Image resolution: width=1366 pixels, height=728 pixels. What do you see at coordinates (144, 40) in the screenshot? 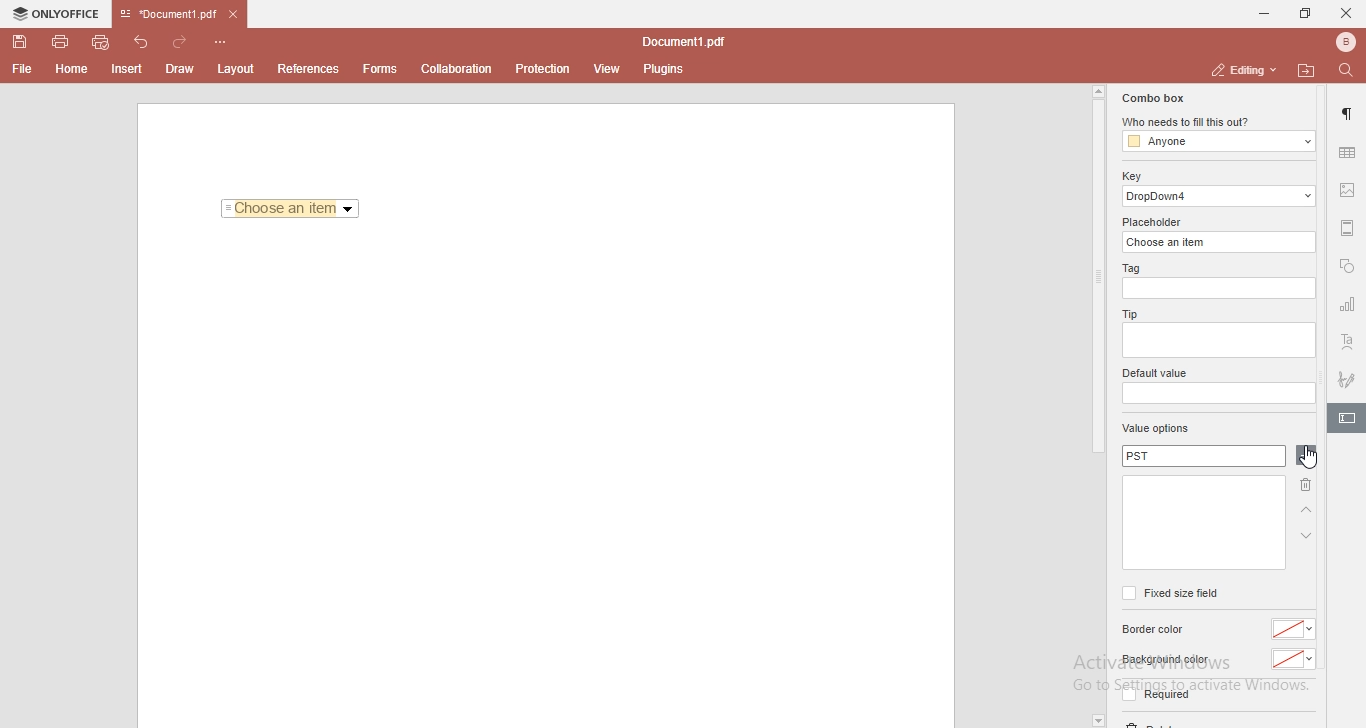
I see `undo` at bounding box center [144, 40].